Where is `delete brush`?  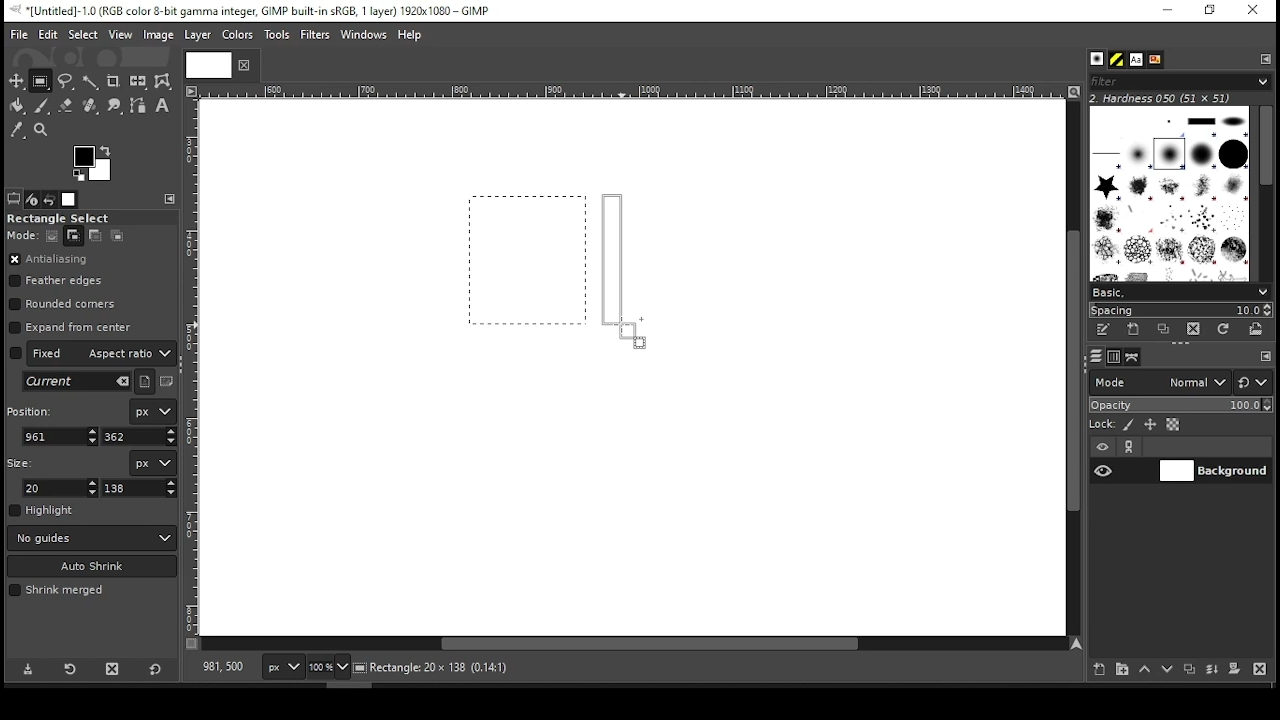
delete brush is located at coordinates (1196, 330).